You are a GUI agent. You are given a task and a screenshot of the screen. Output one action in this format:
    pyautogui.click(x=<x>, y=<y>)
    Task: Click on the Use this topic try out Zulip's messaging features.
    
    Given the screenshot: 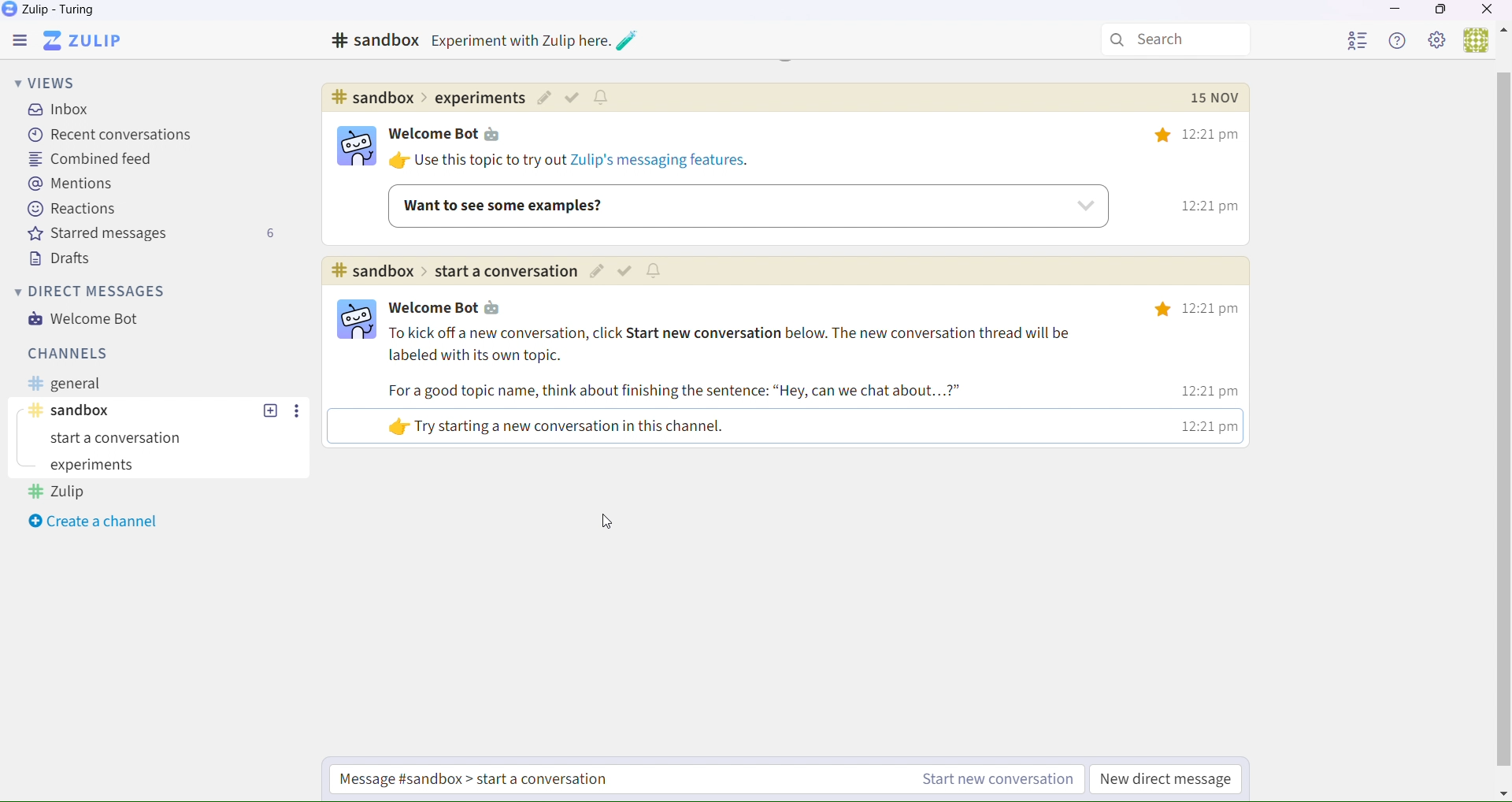 What is the action you would take?
    pyautogui.click(x=572, y=162)
    